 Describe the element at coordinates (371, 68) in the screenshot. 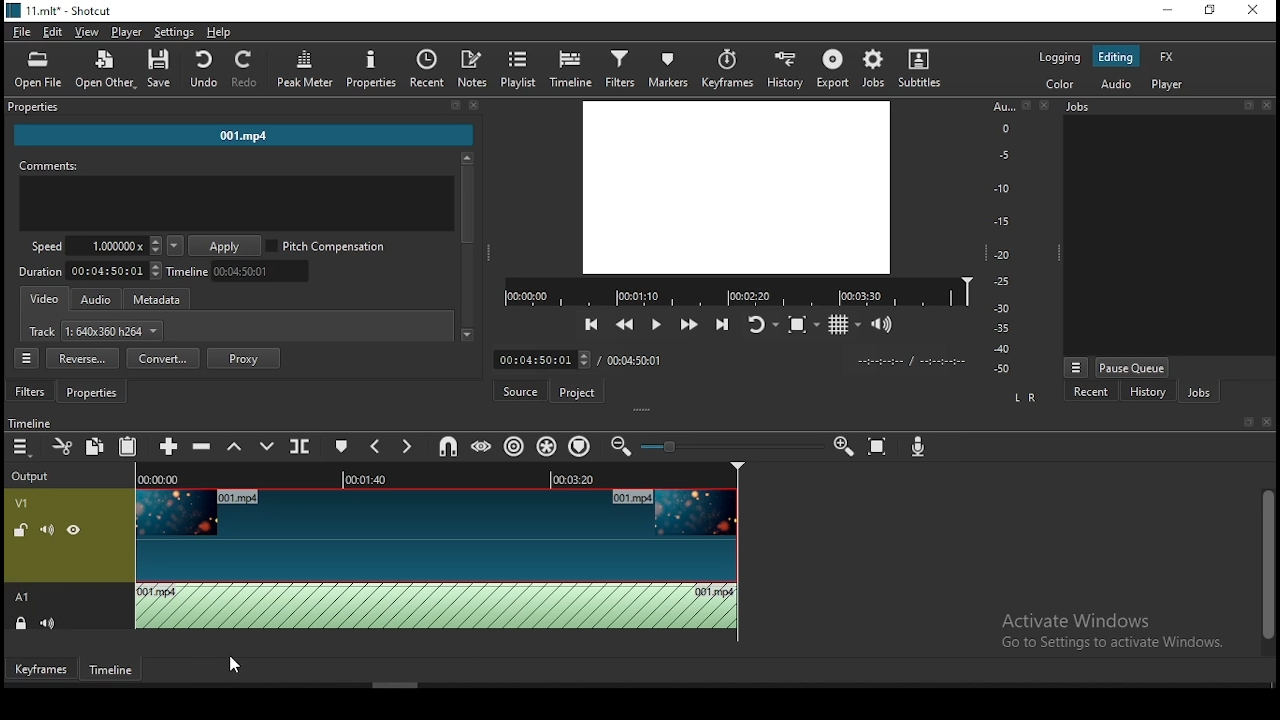

I see `properties` at that location.